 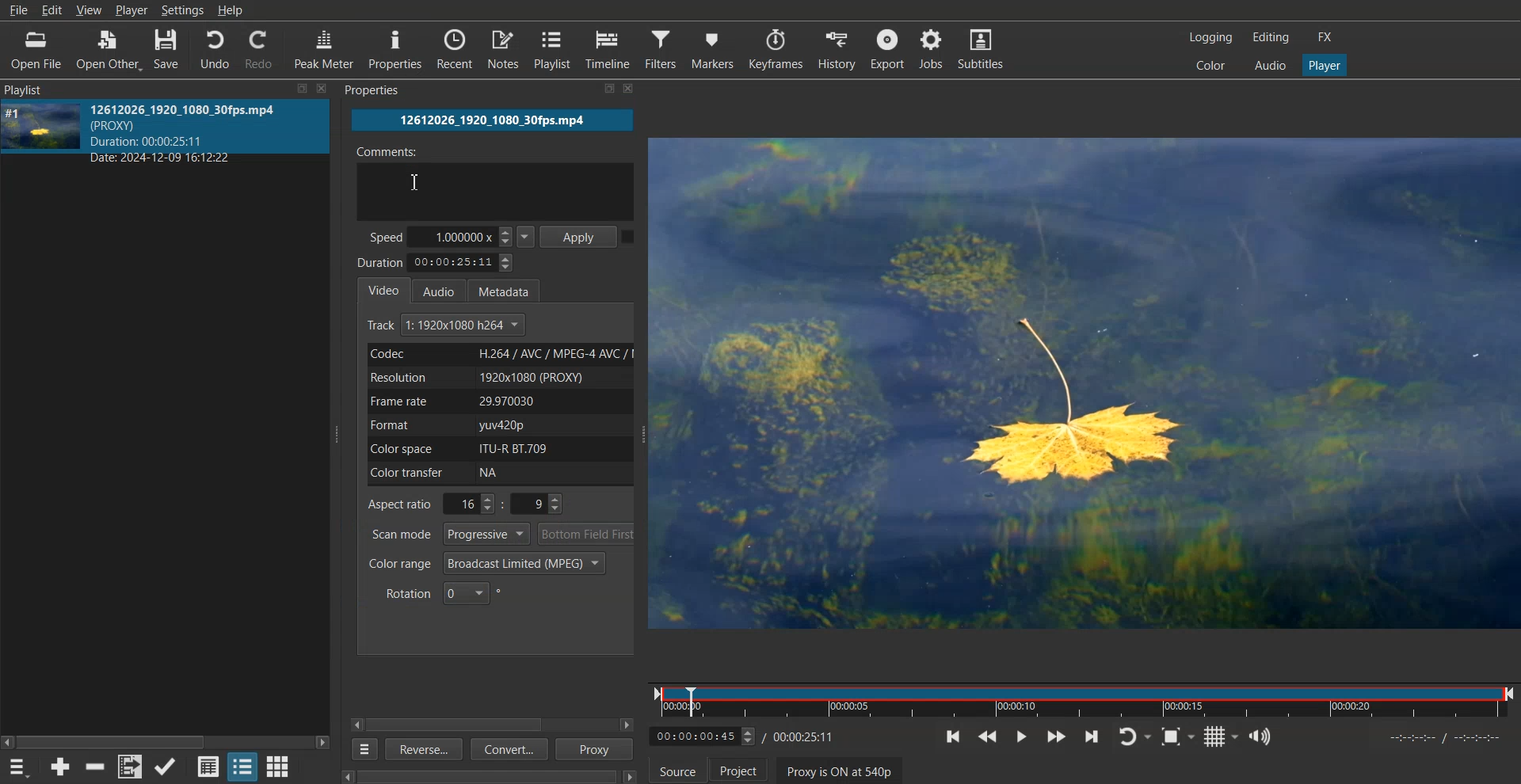 I want to click on Video Time adjuster, so click(x=703, y=736).